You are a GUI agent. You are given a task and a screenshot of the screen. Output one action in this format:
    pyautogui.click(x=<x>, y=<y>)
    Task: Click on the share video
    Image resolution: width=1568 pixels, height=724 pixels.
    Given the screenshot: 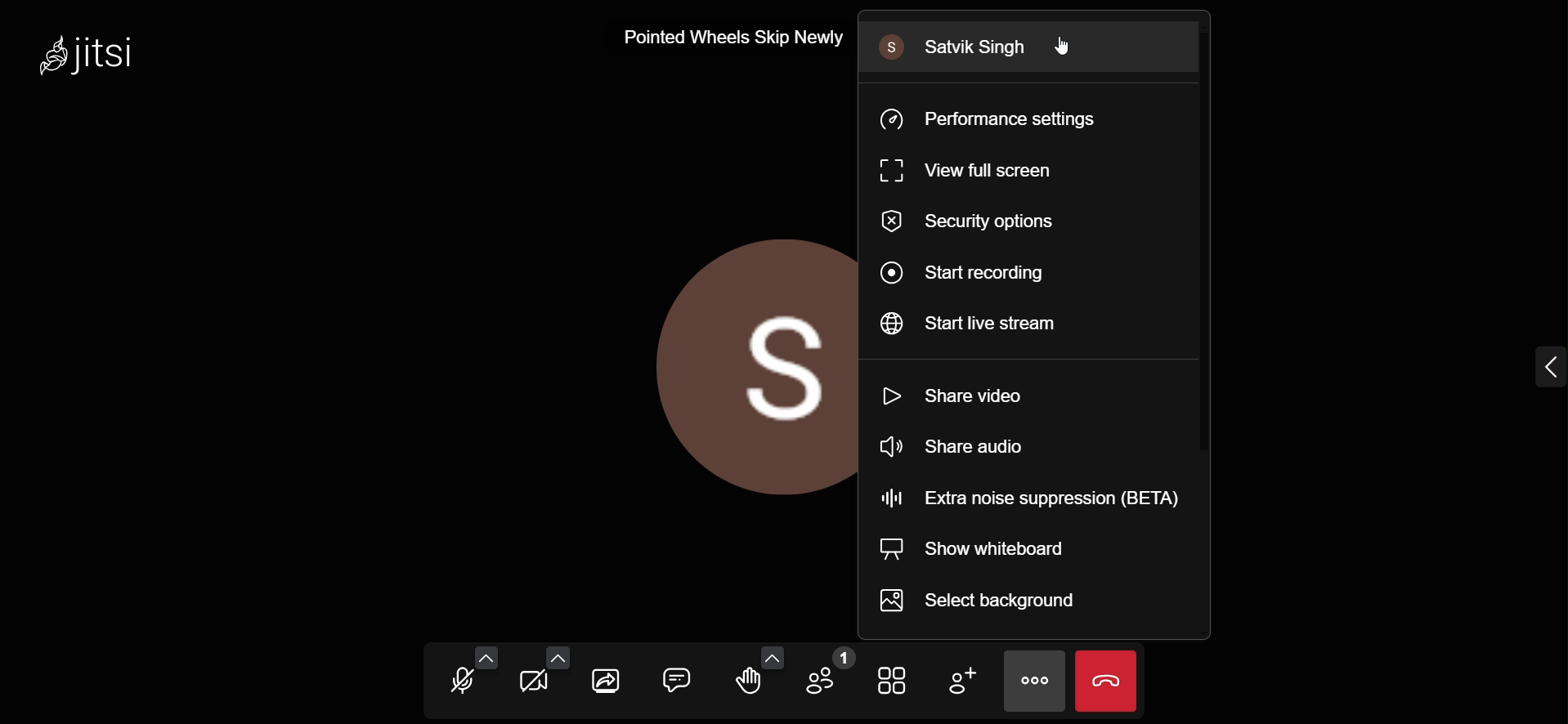 What is the action you would take?
    pyautogui.click(x=975, y=400)
    